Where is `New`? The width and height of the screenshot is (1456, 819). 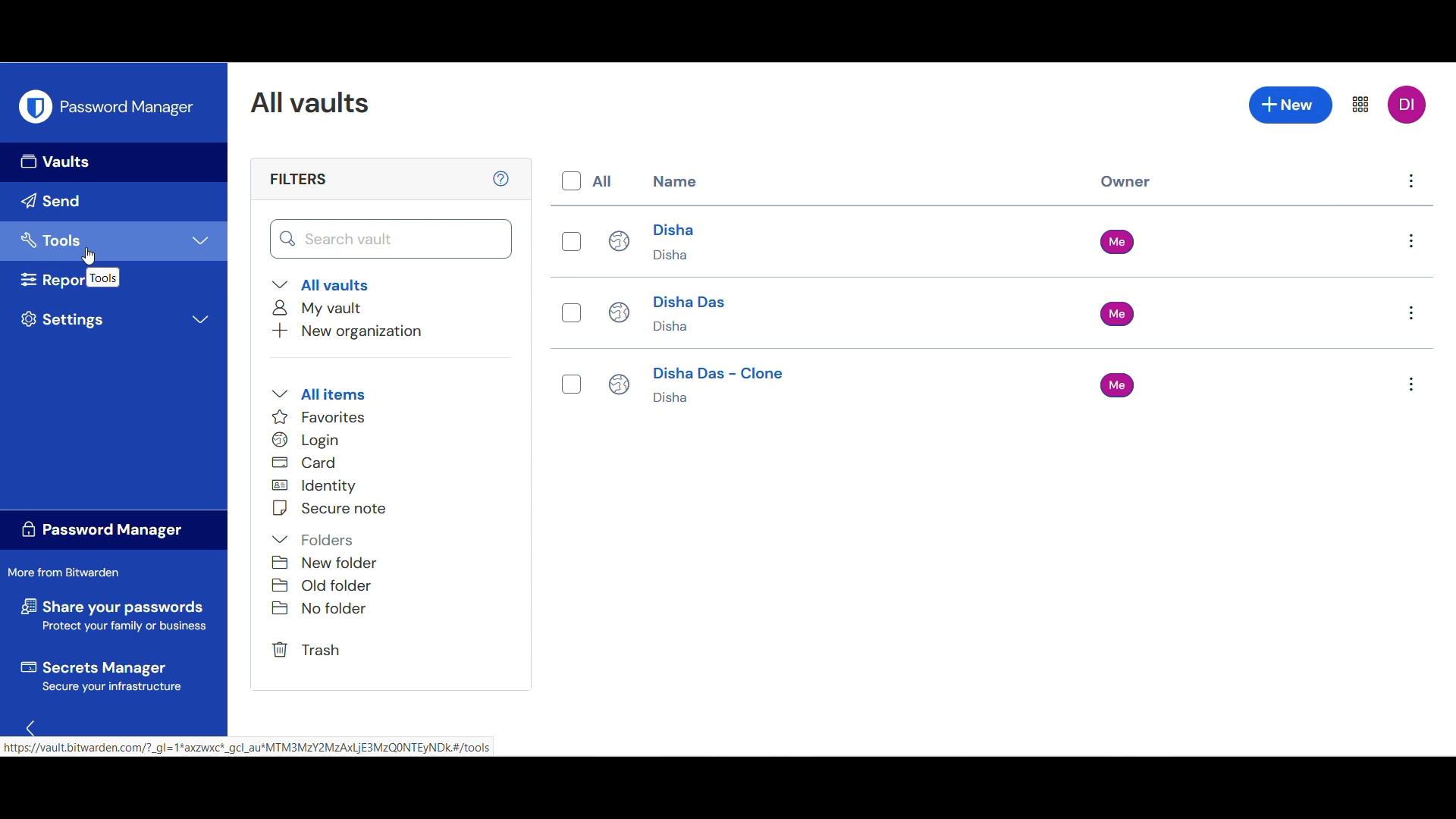 New is located at coordinates (1291, 105).